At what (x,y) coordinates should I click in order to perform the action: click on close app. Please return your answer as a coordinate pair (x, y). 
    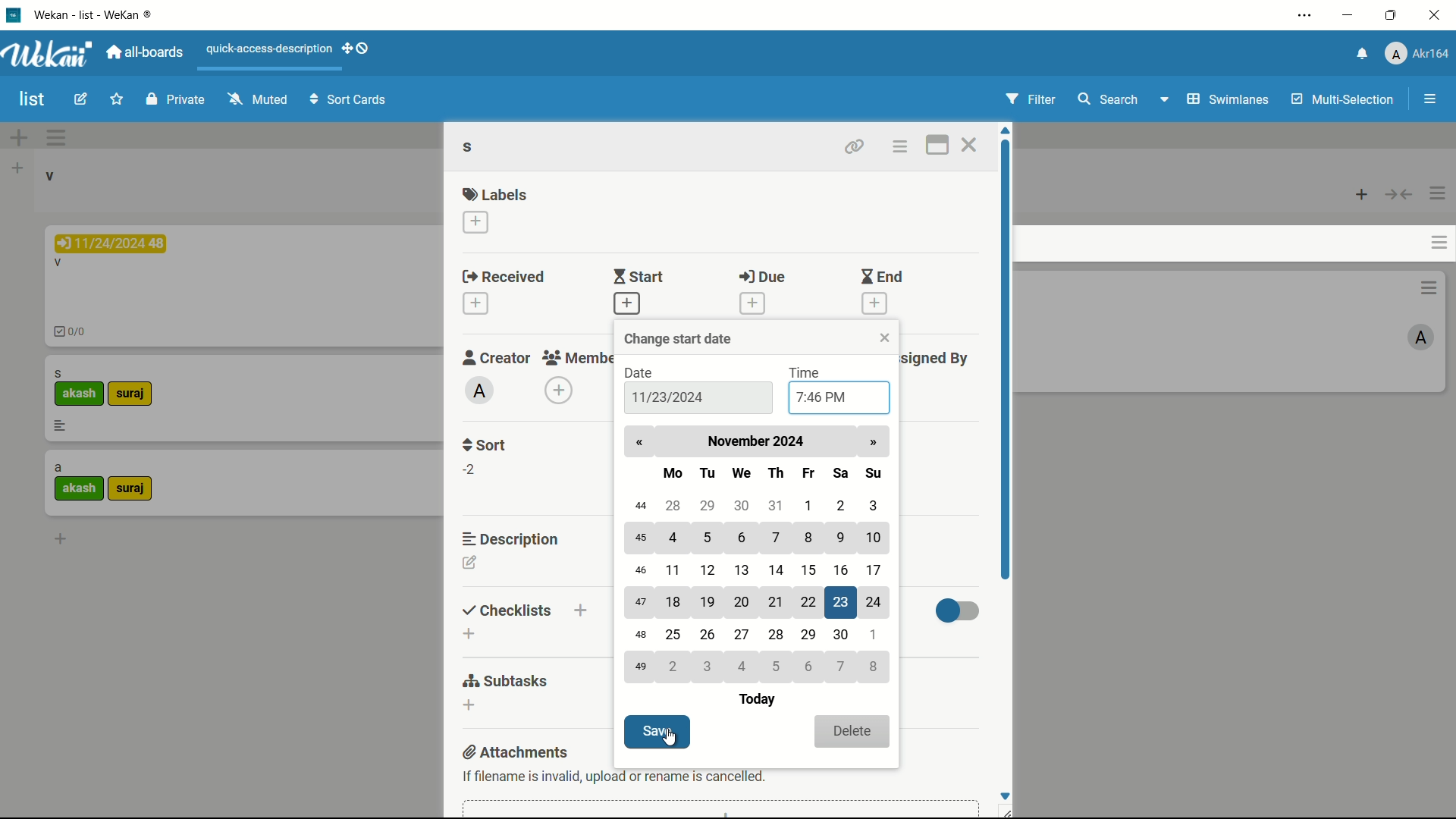
    Looking at the image, I should click on (1435, 17).